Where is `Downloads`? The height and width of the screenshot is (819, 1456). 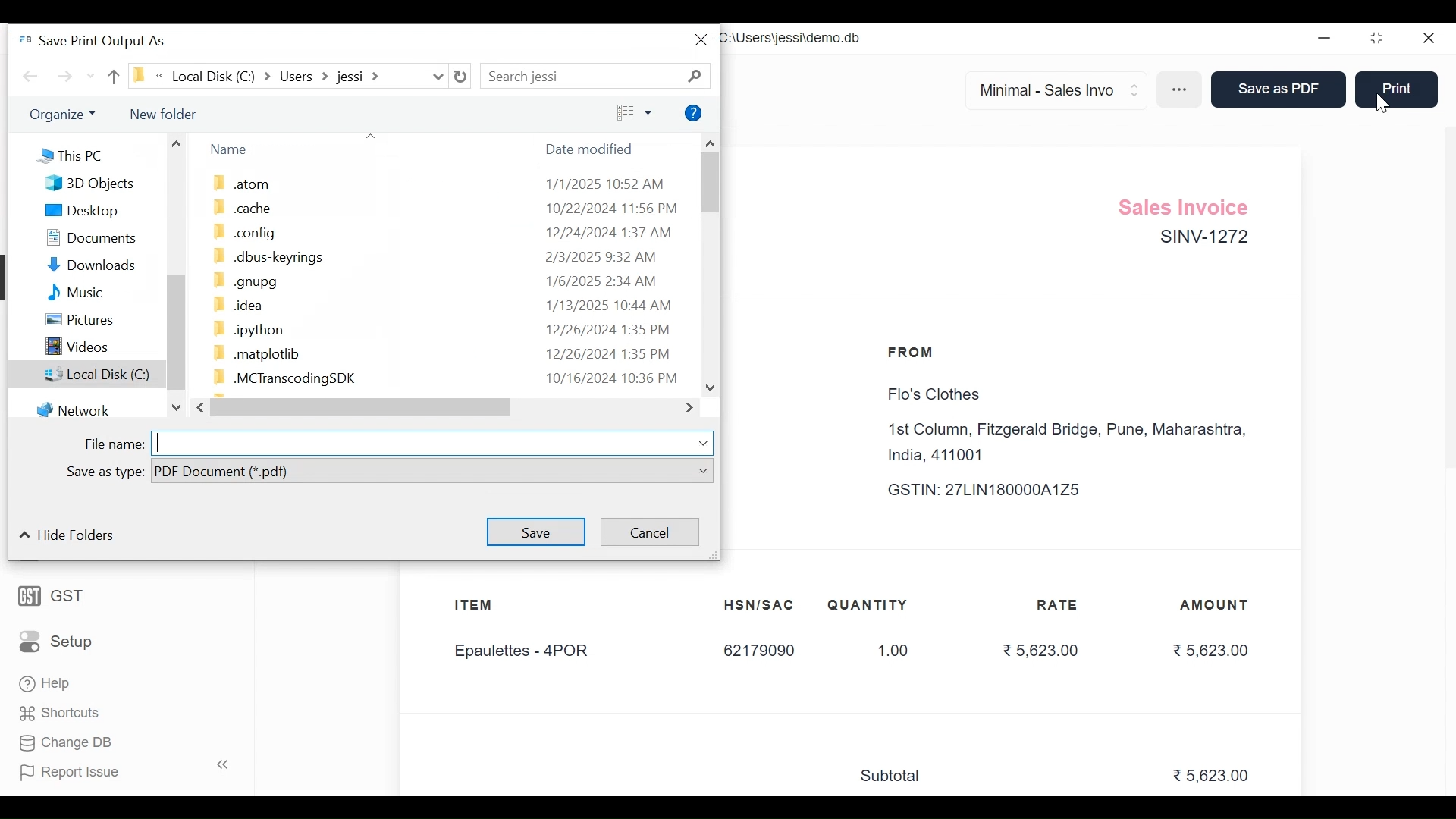
Downloads is located at coordinates (83, 265).